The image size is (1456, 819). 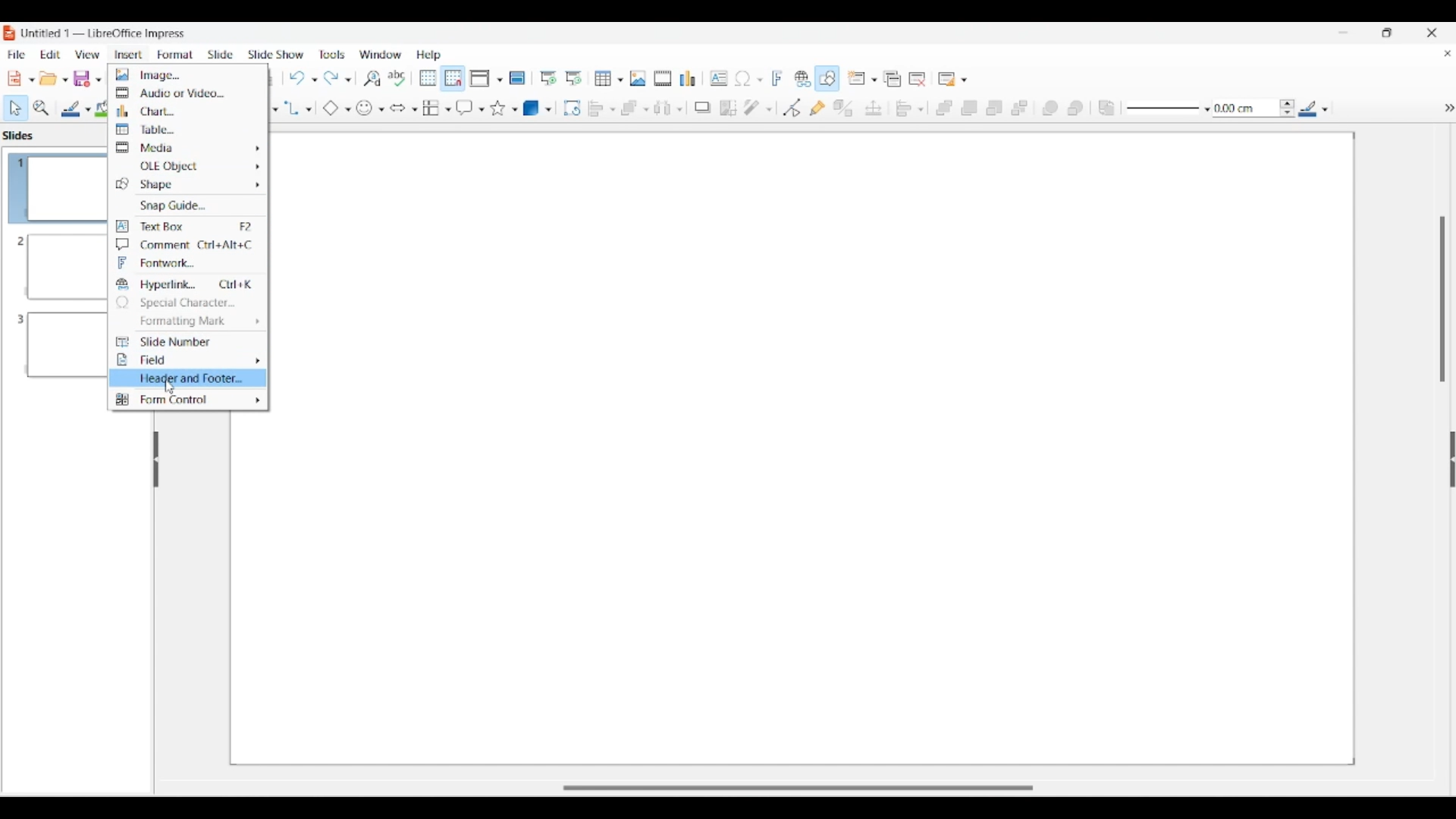 What do you see at coordinates (1448, 53) in the screenshot?
I see `Close current document` at bounding box center [1448, 53].